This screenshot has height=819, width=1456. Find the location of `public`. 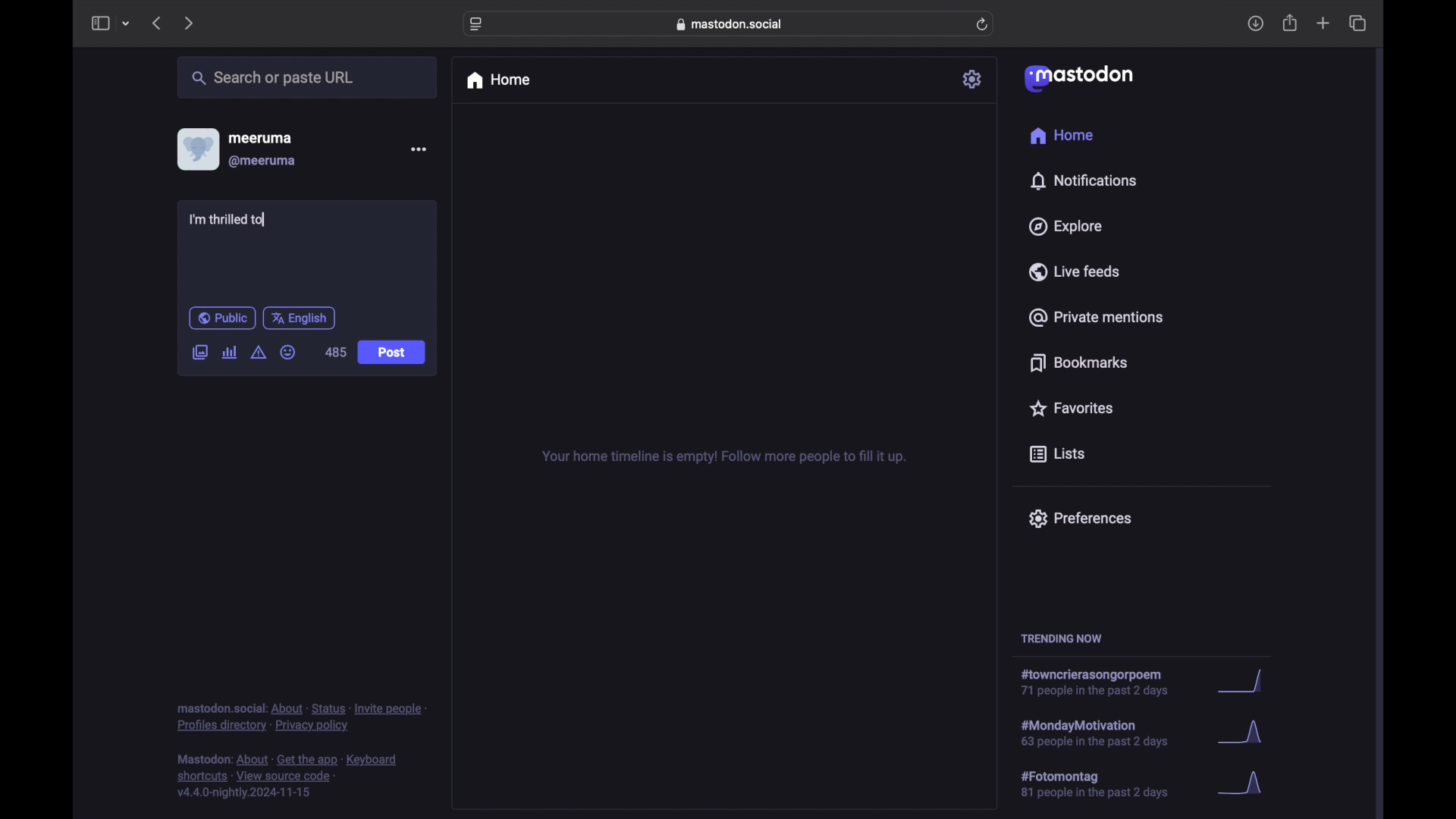

public is located at coordinates (222, 318).